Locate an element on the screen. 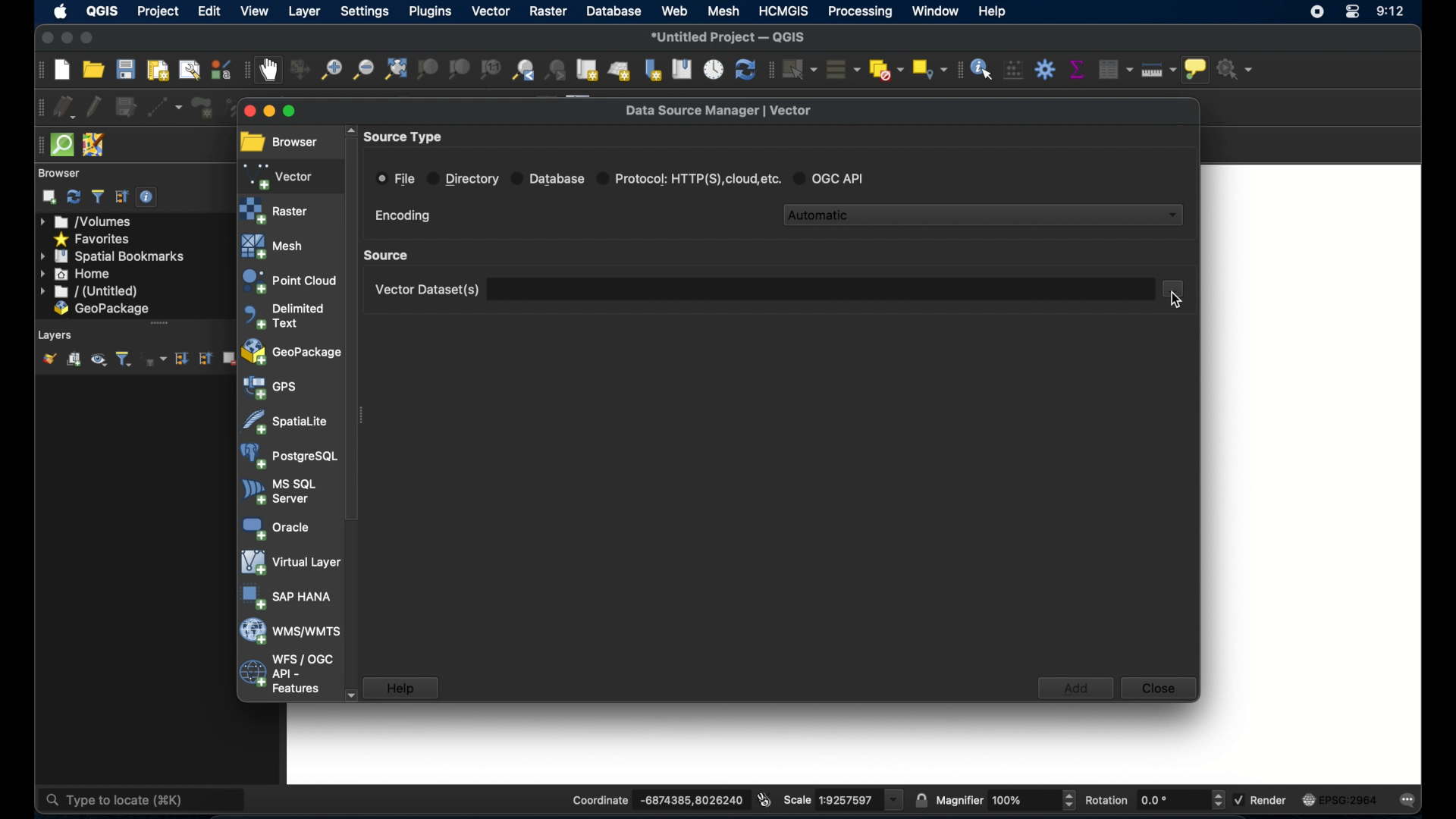 Image resolution: width=1456 pixels, height=819 pixels. vector is located at coordinates (490, 11).